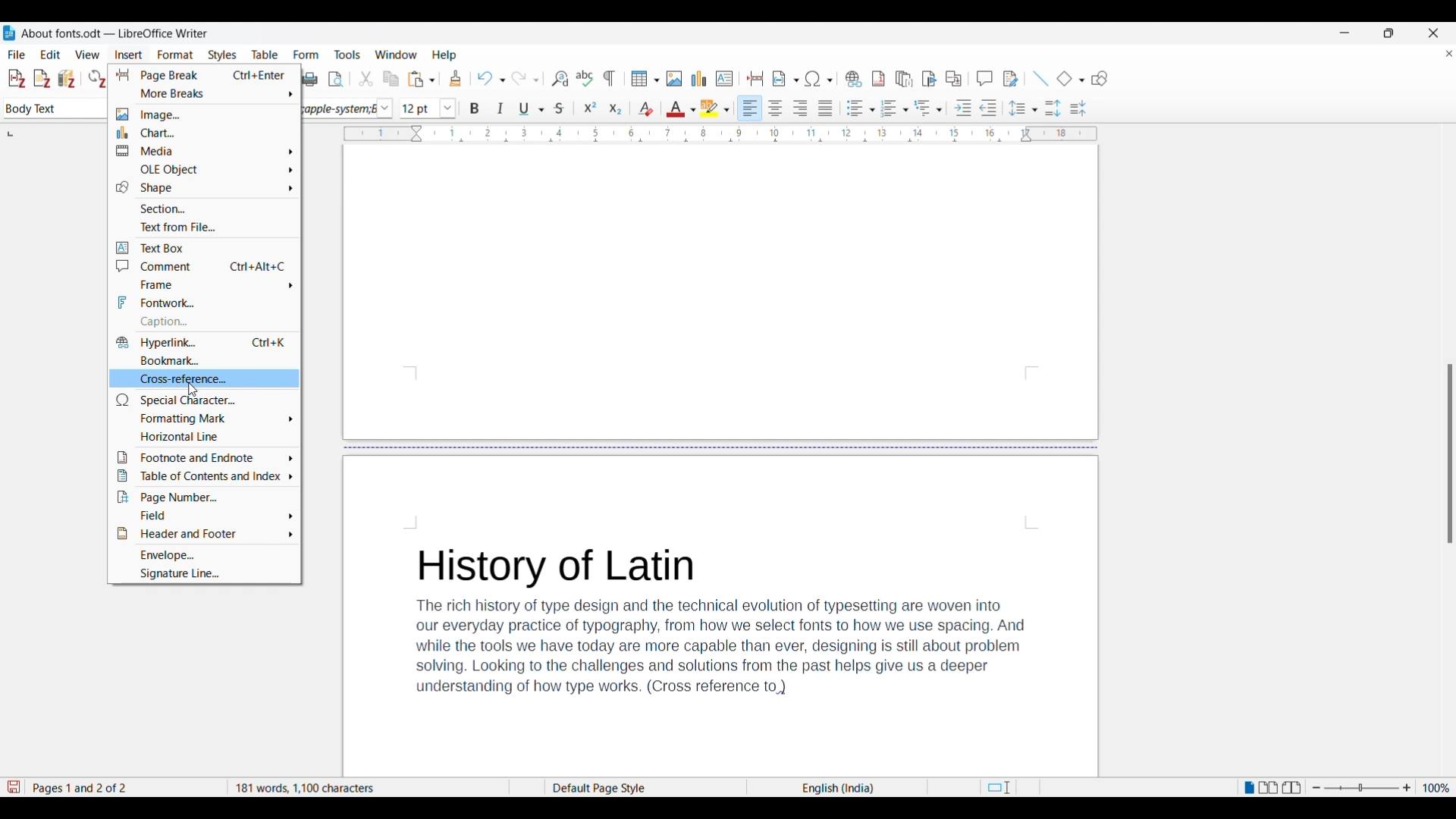 The image size is (1456, 819). I want to click on Font size options, so click(448, 108).